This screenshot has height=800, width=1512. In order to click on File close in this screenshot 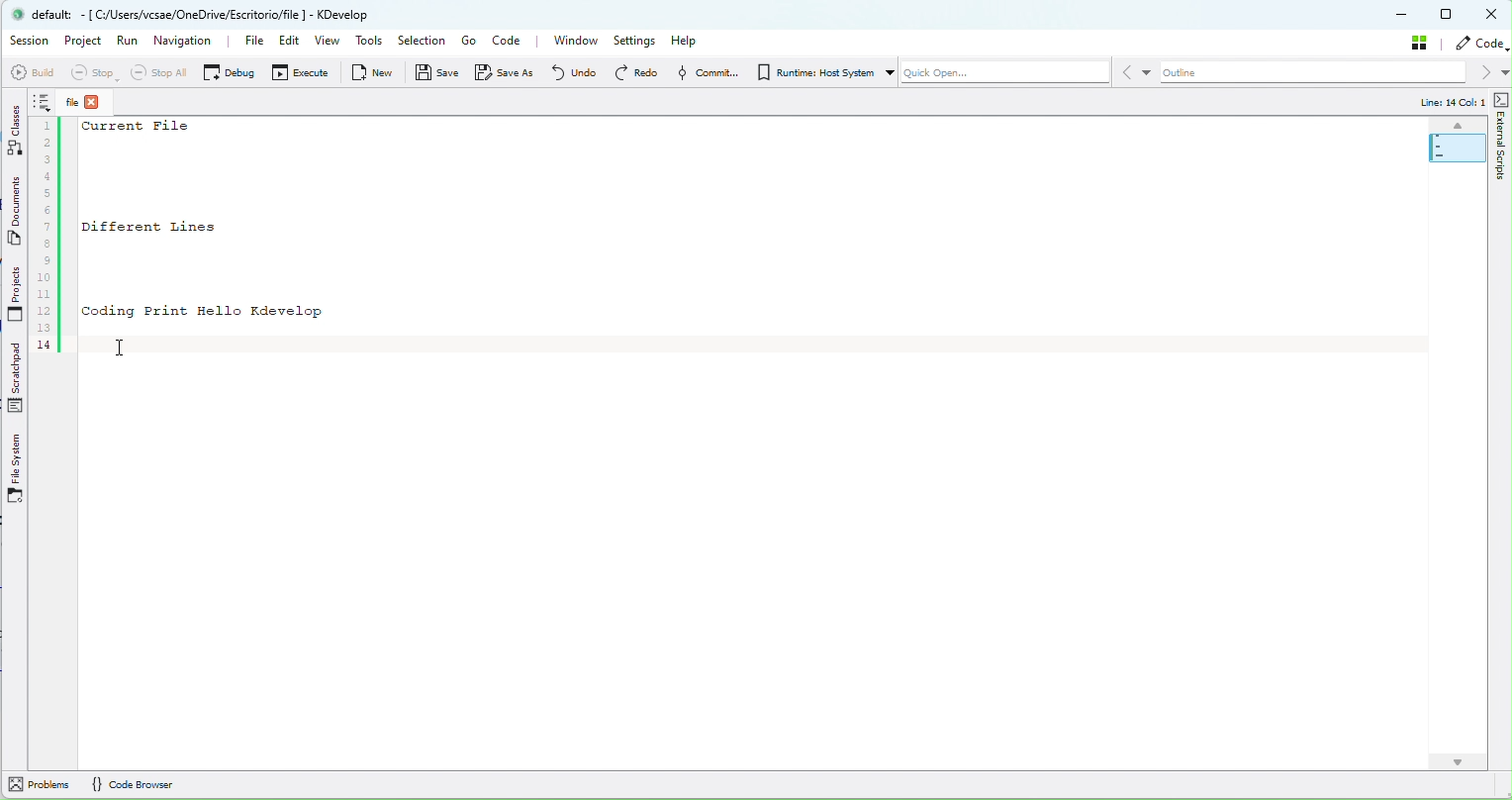, I will do `click(91, 102)`.